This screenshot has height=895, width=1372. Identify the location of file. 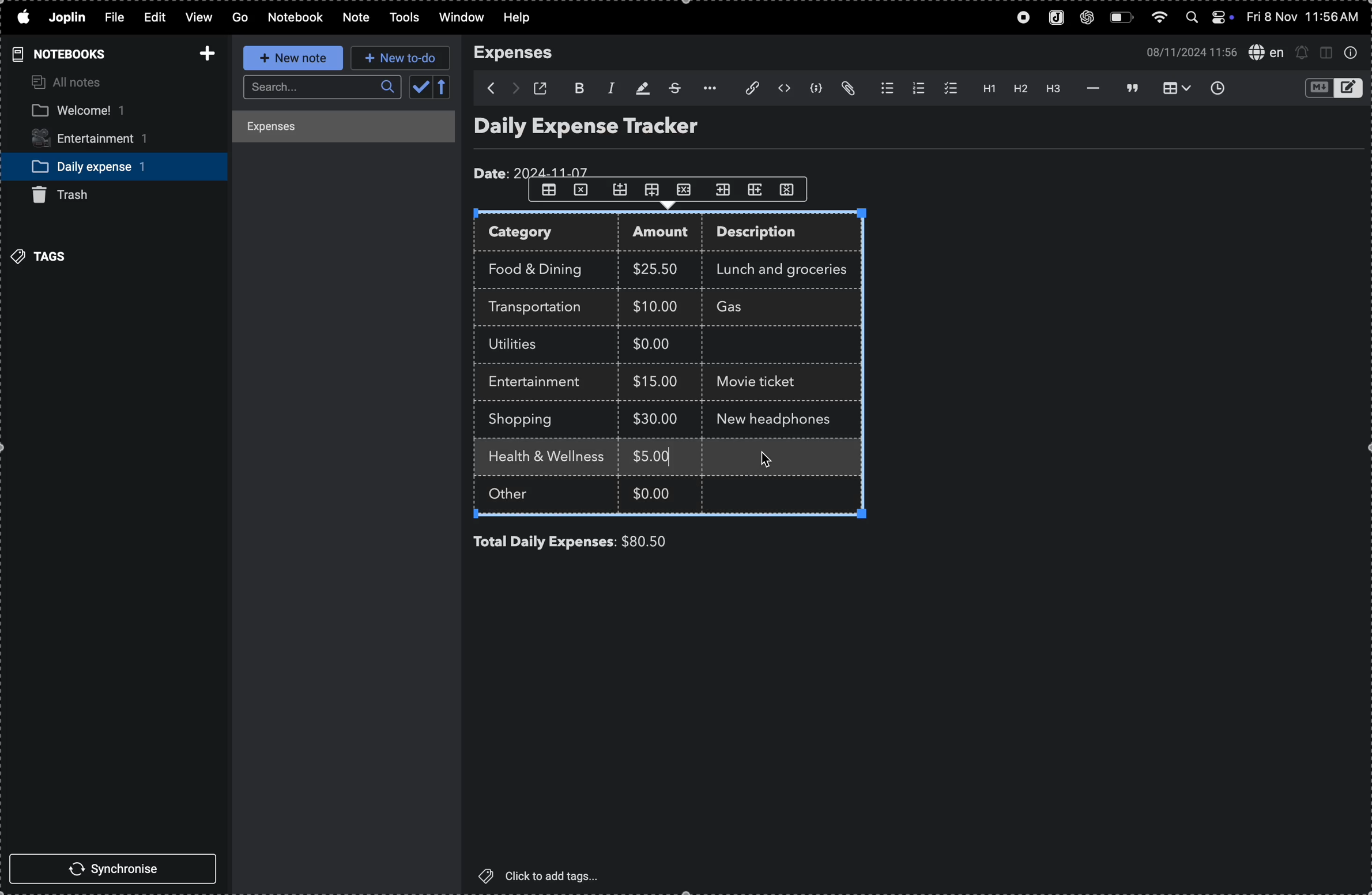
(112, 18).